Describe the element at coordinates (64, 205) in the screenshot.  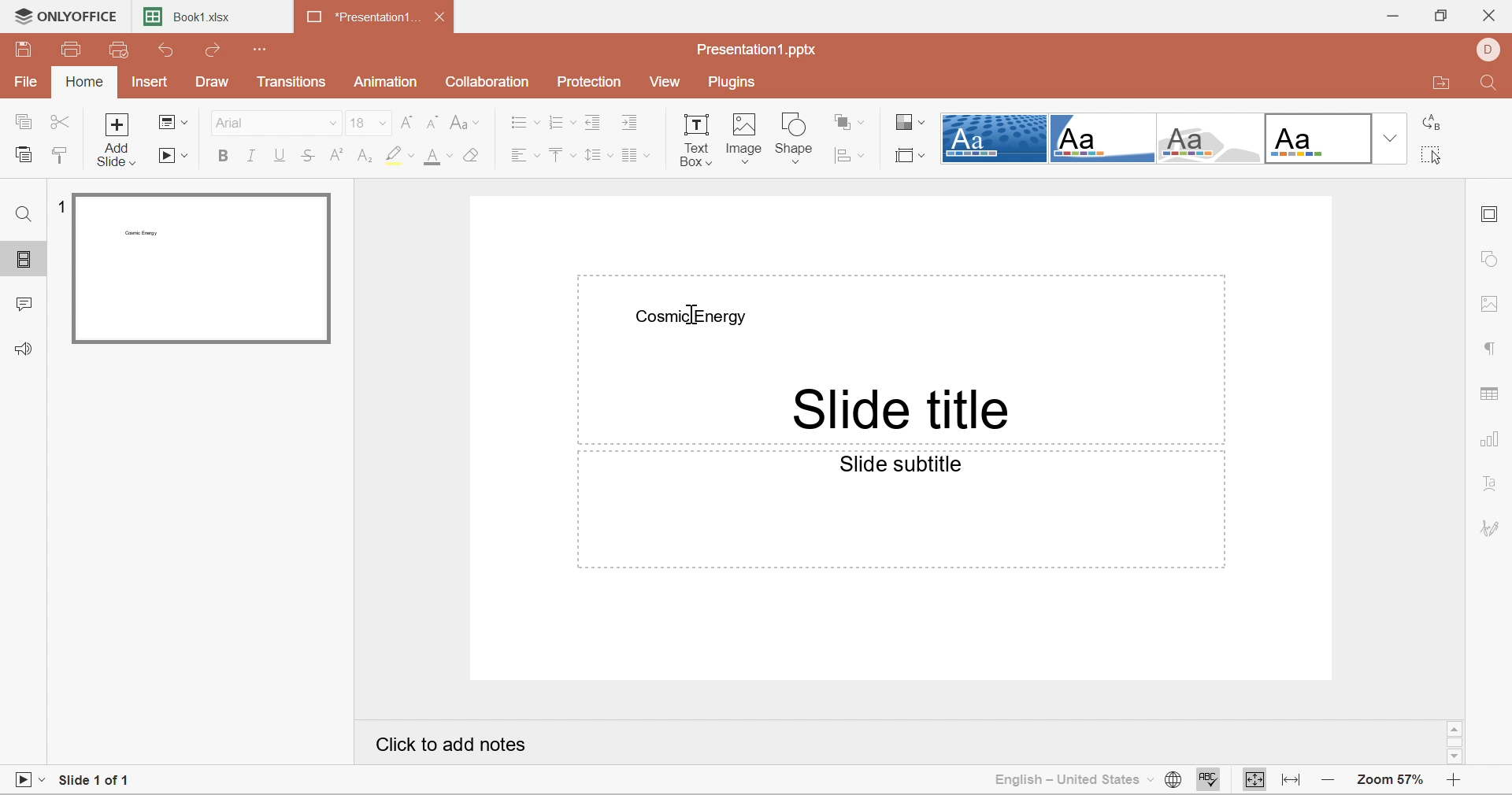
I see `1` at that location.